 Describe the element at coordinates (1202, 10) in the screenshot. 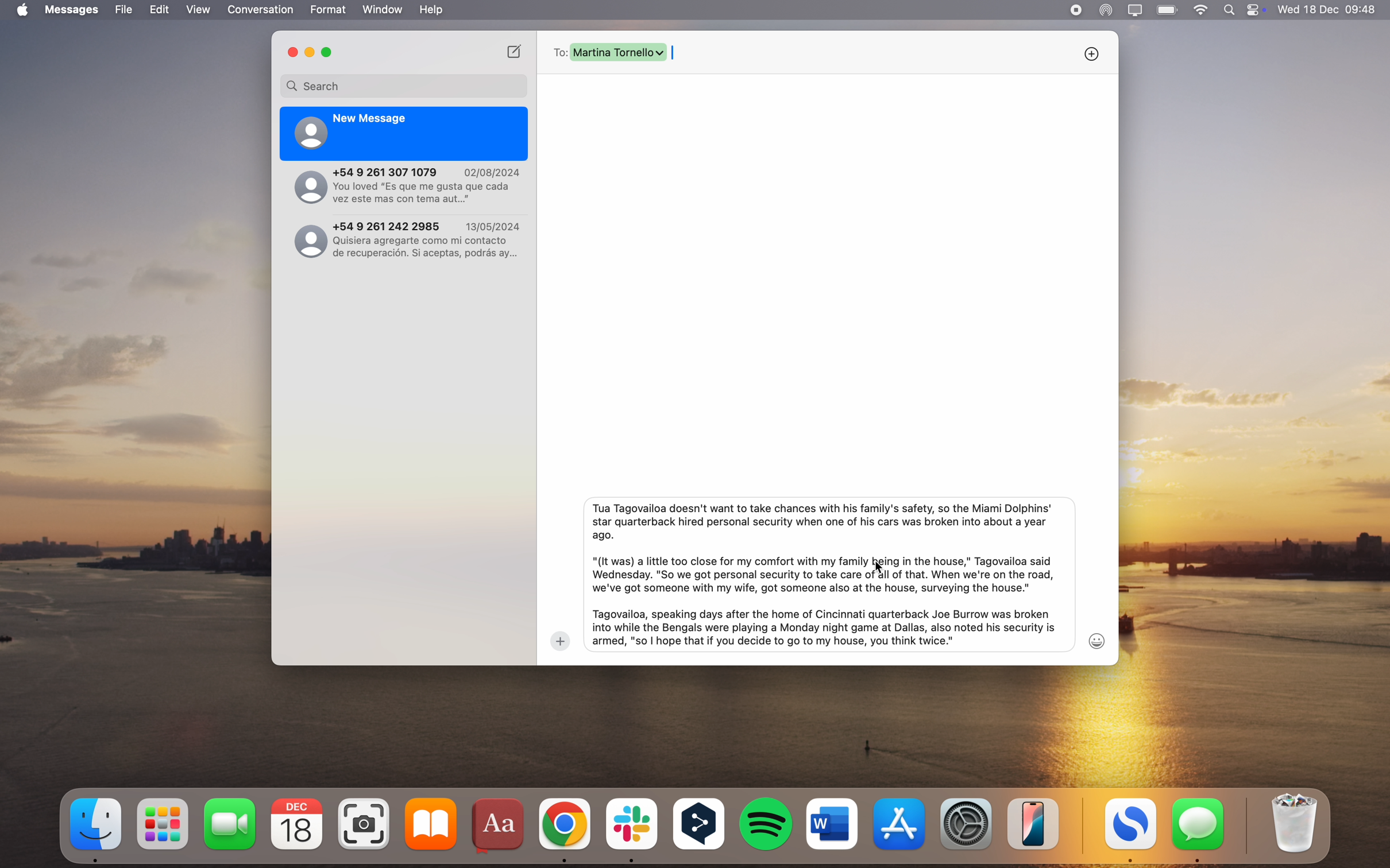

I see `wifi` at that location.